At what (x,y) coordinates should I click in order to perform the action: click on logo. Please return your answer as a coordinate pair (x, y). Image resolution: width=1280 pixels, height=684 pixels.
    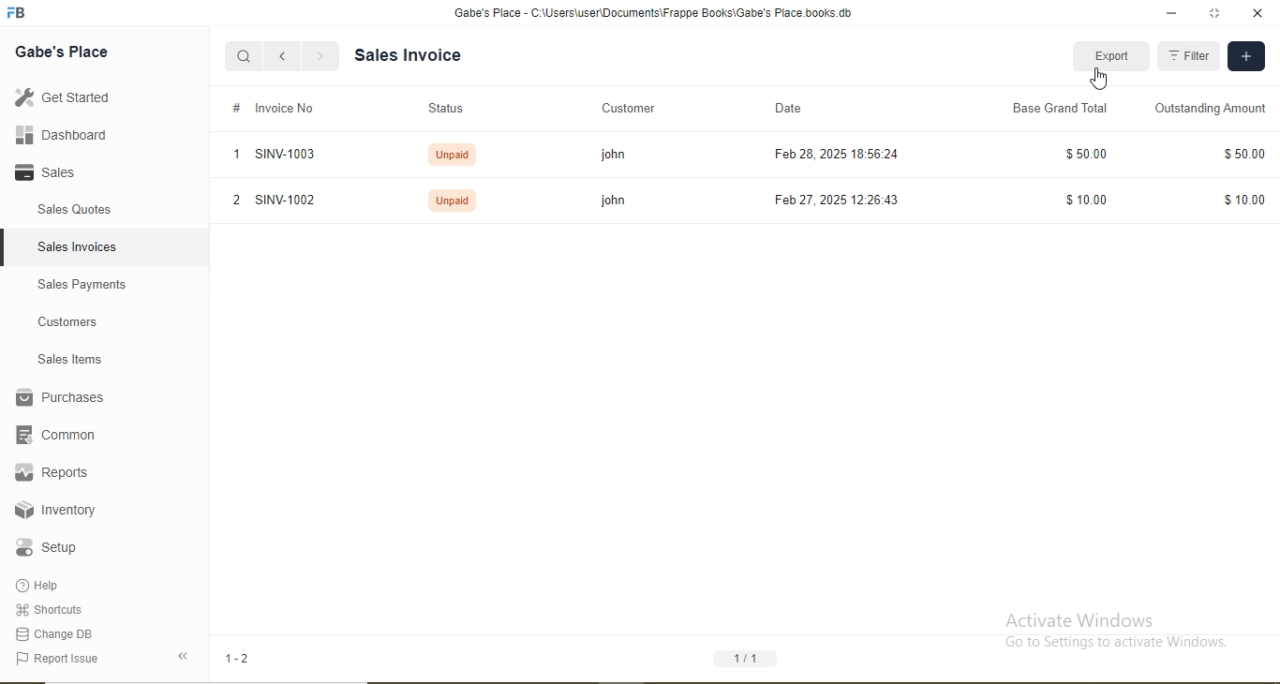
    Looking at the image, I should click on (25, 13).